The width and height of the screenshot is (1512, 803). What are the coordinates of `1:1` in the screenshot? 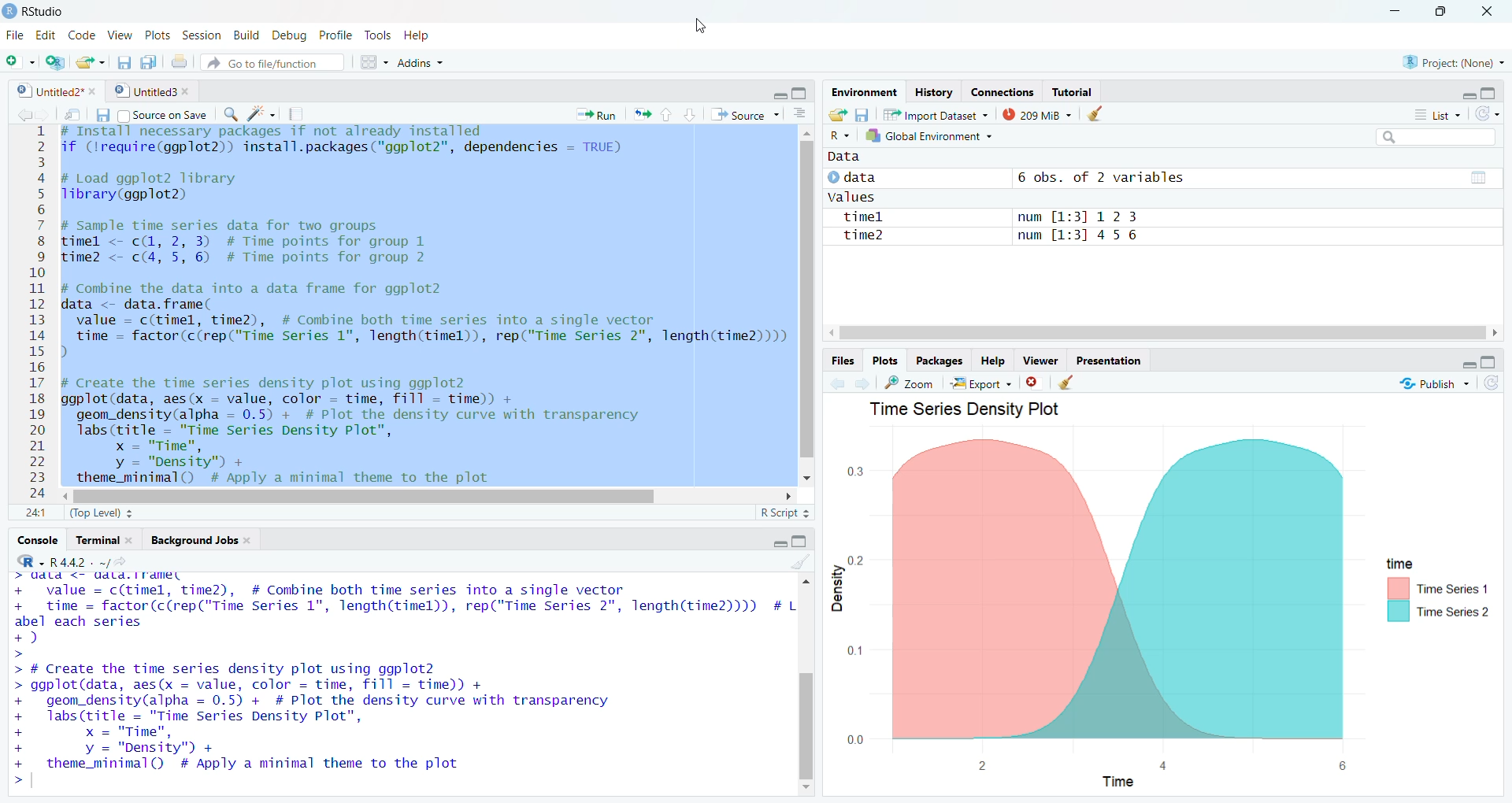 It's located at (38, 515).